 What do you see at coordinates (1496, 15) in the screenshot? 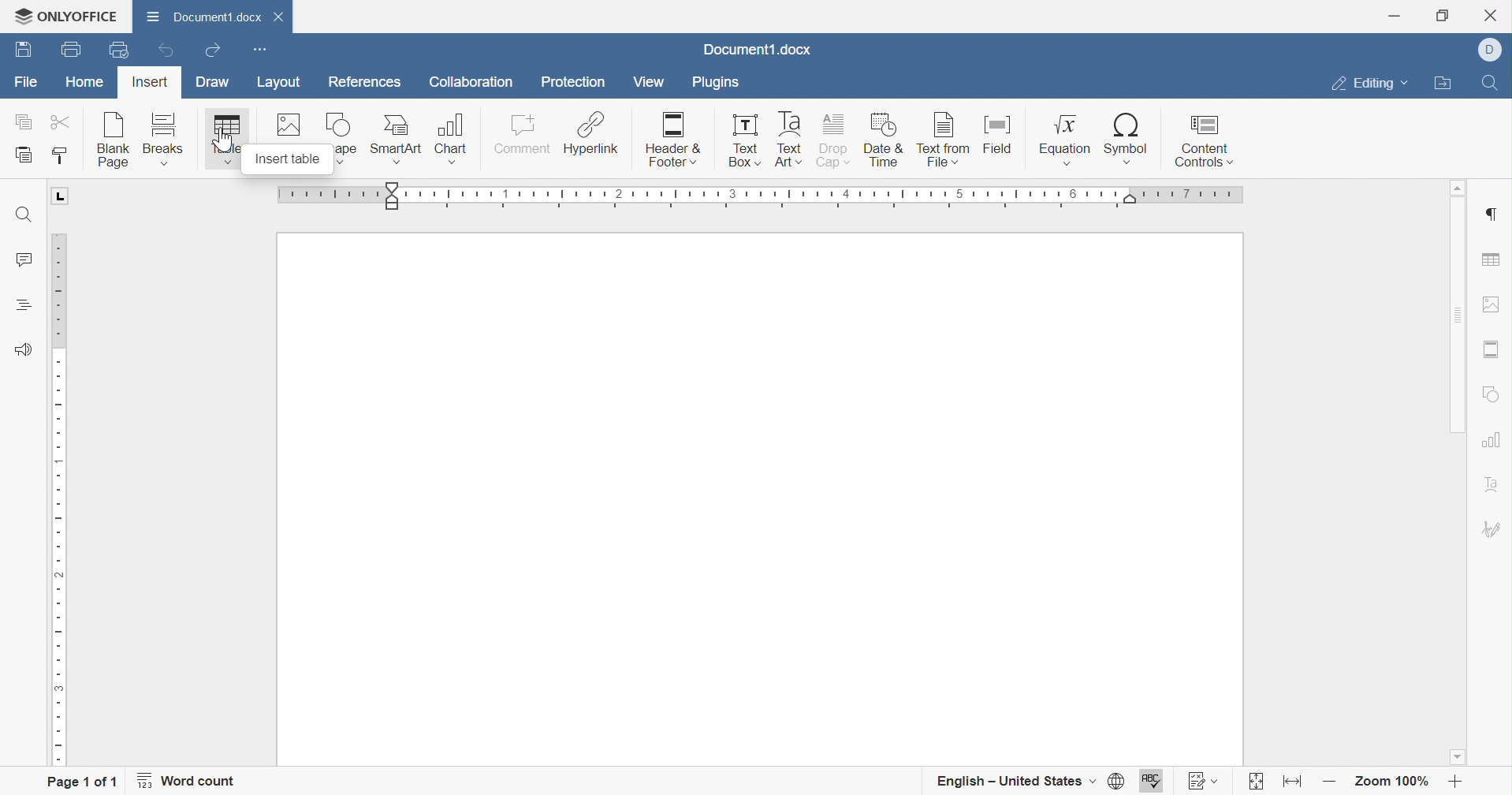
I see `Close` at bounding box center [1496, 15].